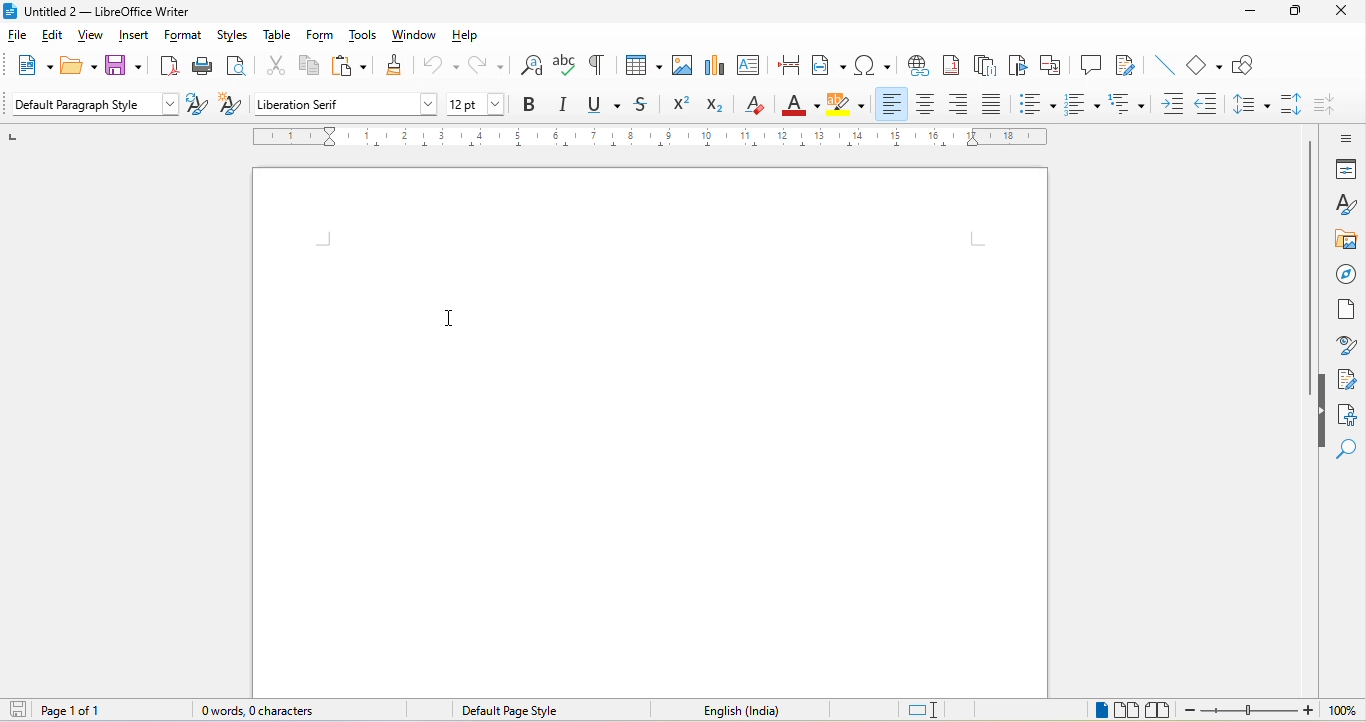  I want to click on 0 words, 0 characters, so click(268, 710).